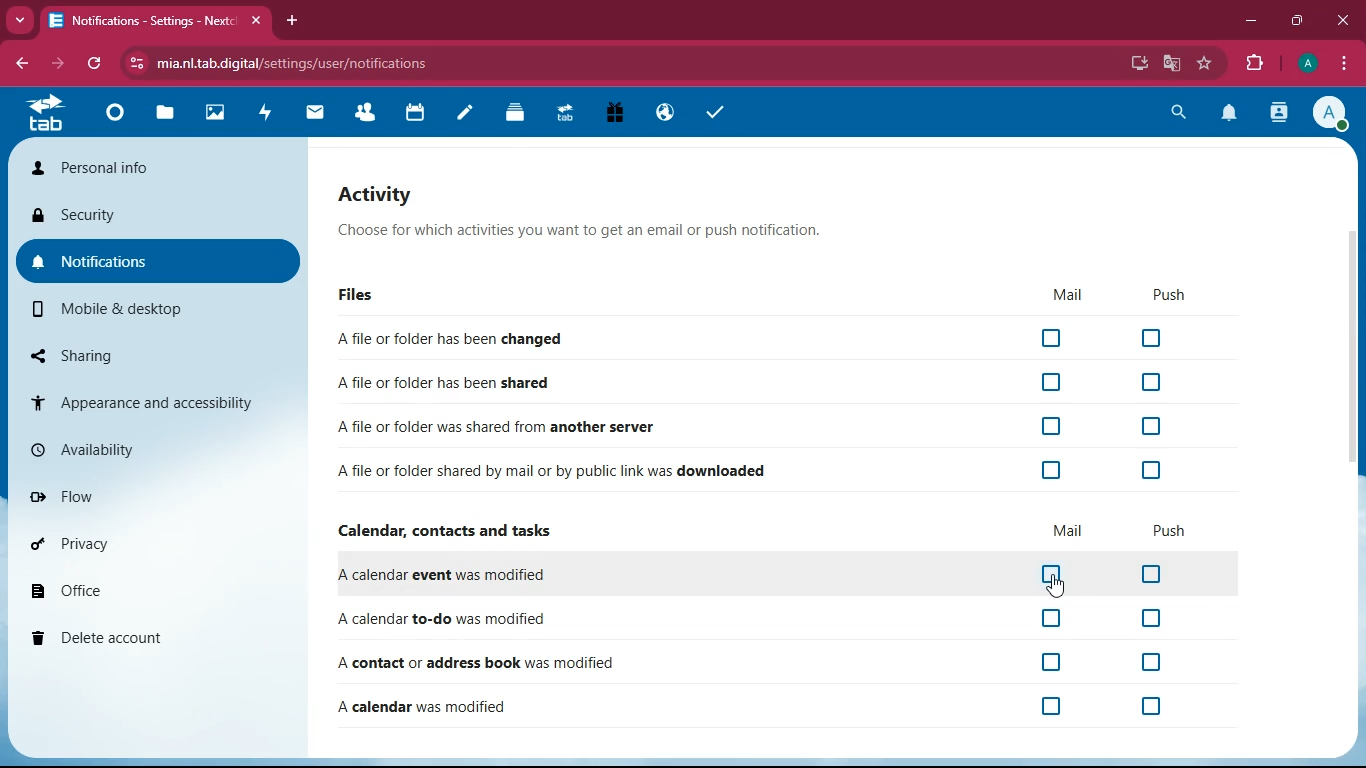 The height and width of the screenshot is (768, 1366). I want to click on security, so click(158, 213).